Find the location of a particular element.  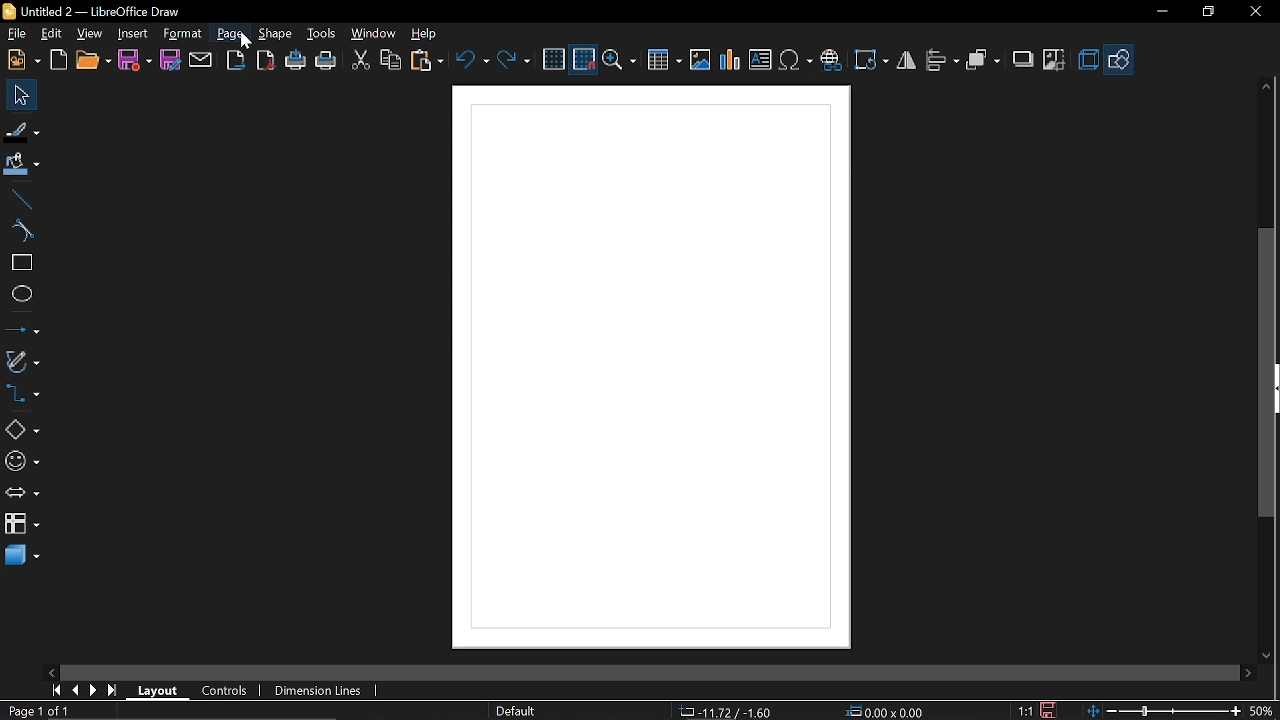

Save as is located at coordinates (172, 61).